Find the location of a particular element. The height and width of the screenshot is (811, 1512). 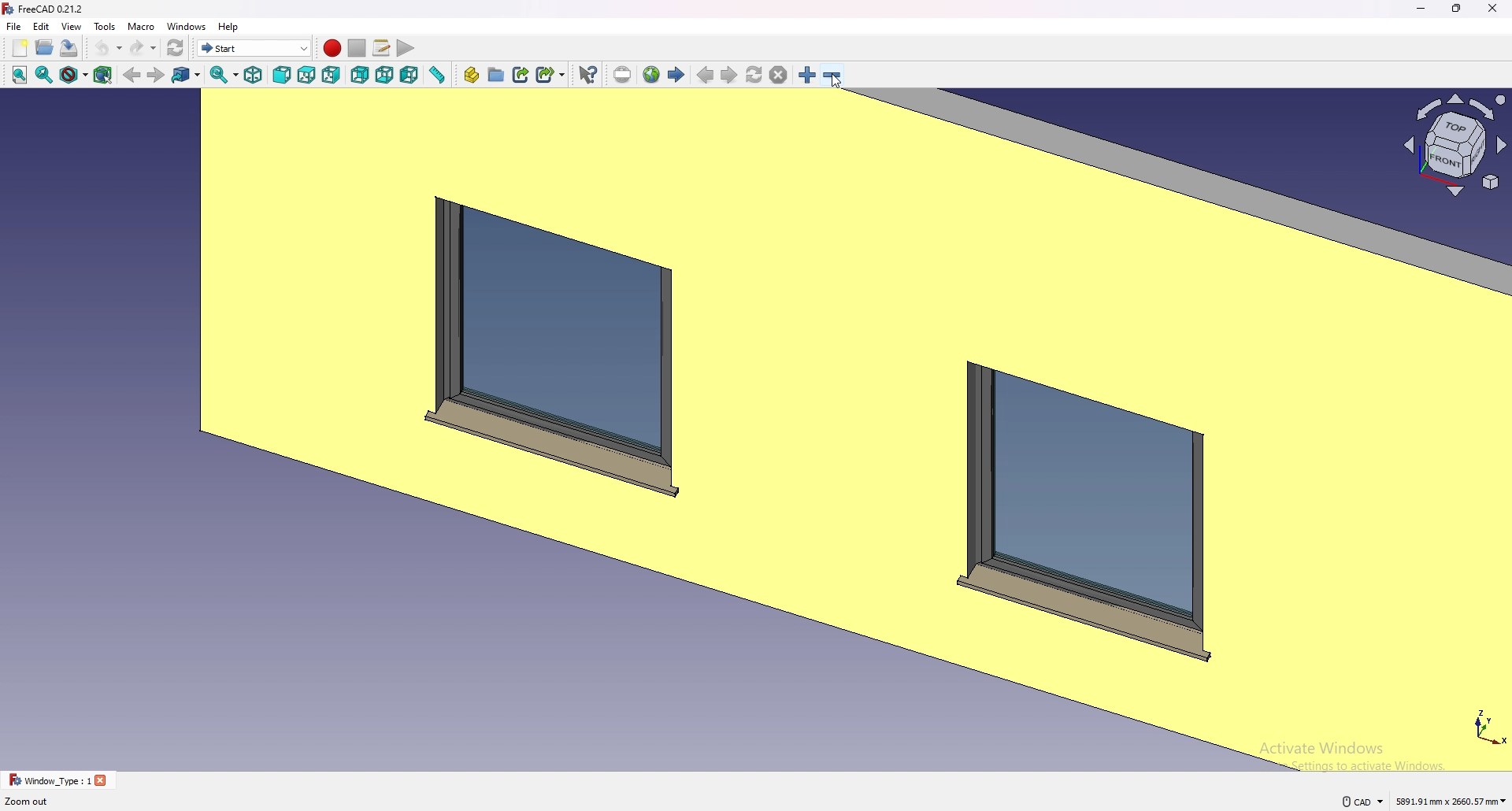

macro is located at coordinates (143, 26).